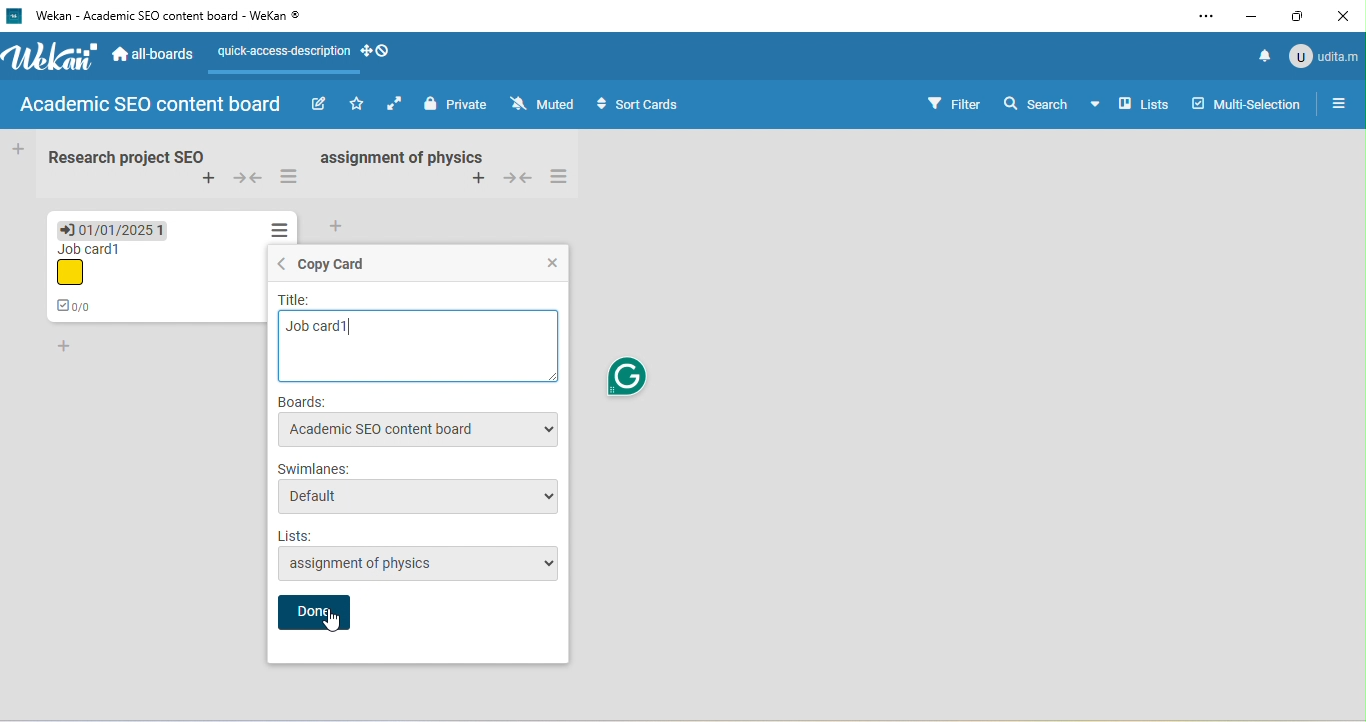 The width and height of the screenshot is (1366, 722). I want to click on swimlanes, so click(316, 466).